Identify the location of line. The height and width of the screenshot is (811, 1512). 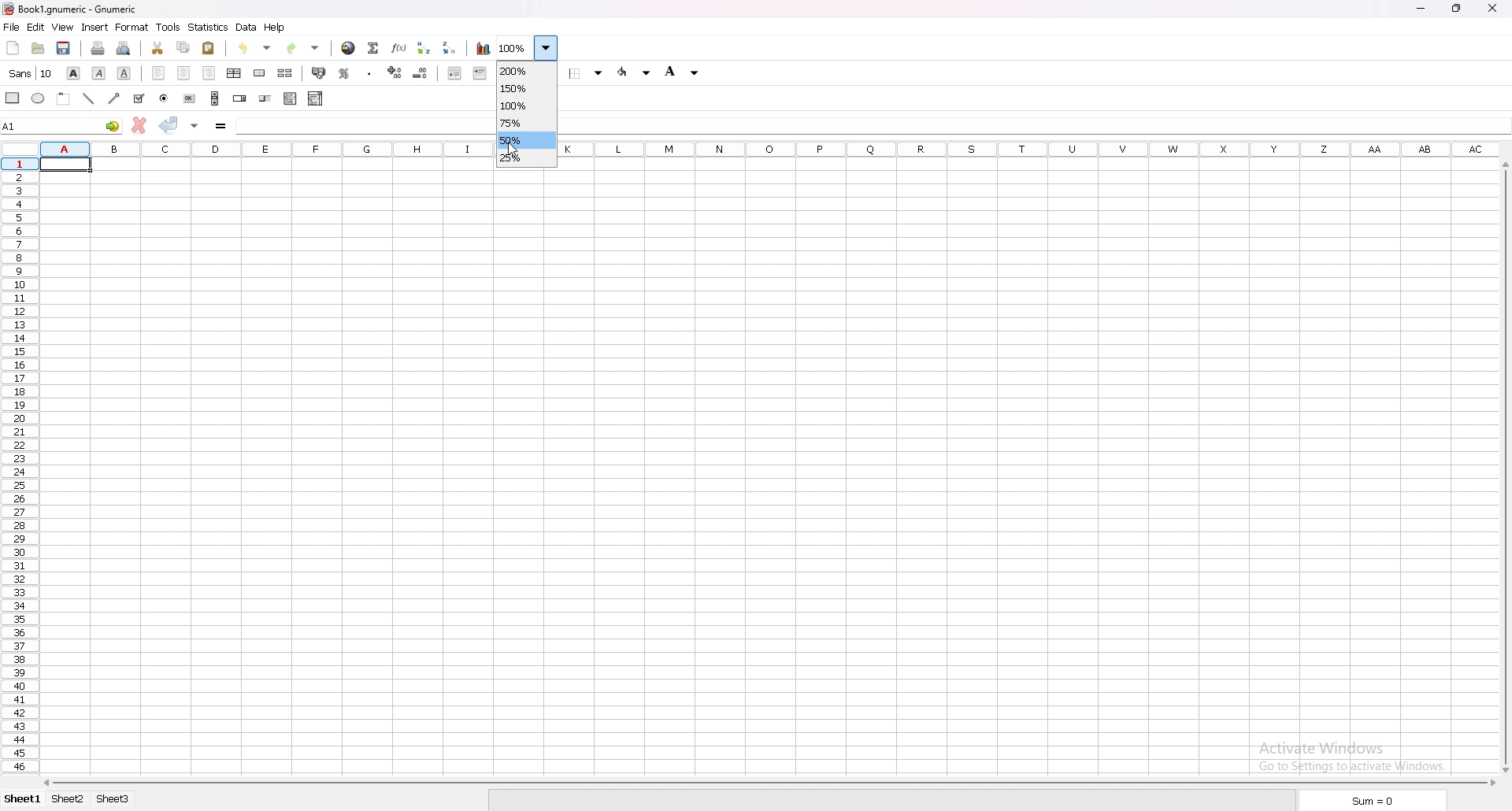
(89, 98).